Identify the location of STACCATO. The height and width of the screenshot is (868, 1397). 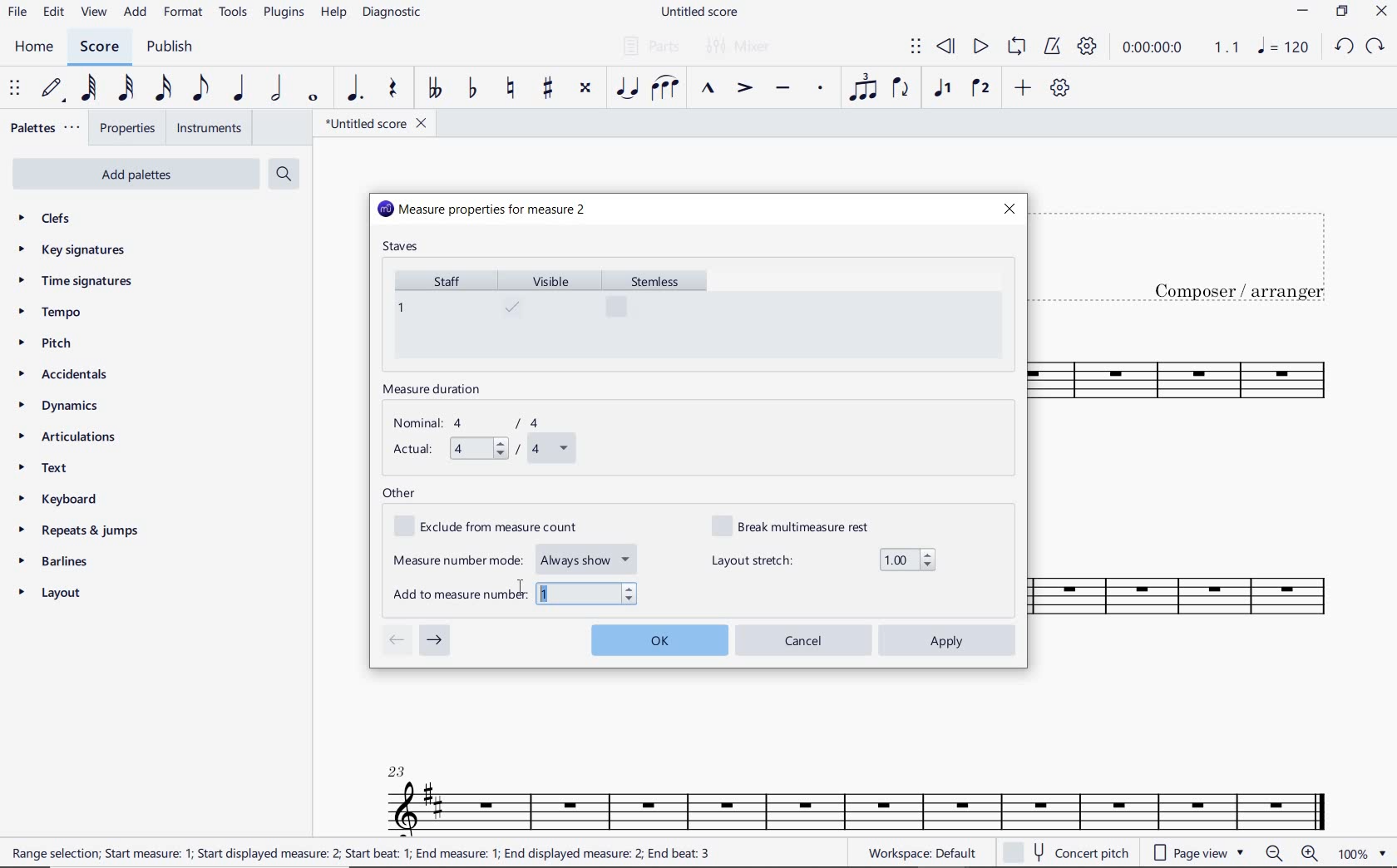
(820, 89).